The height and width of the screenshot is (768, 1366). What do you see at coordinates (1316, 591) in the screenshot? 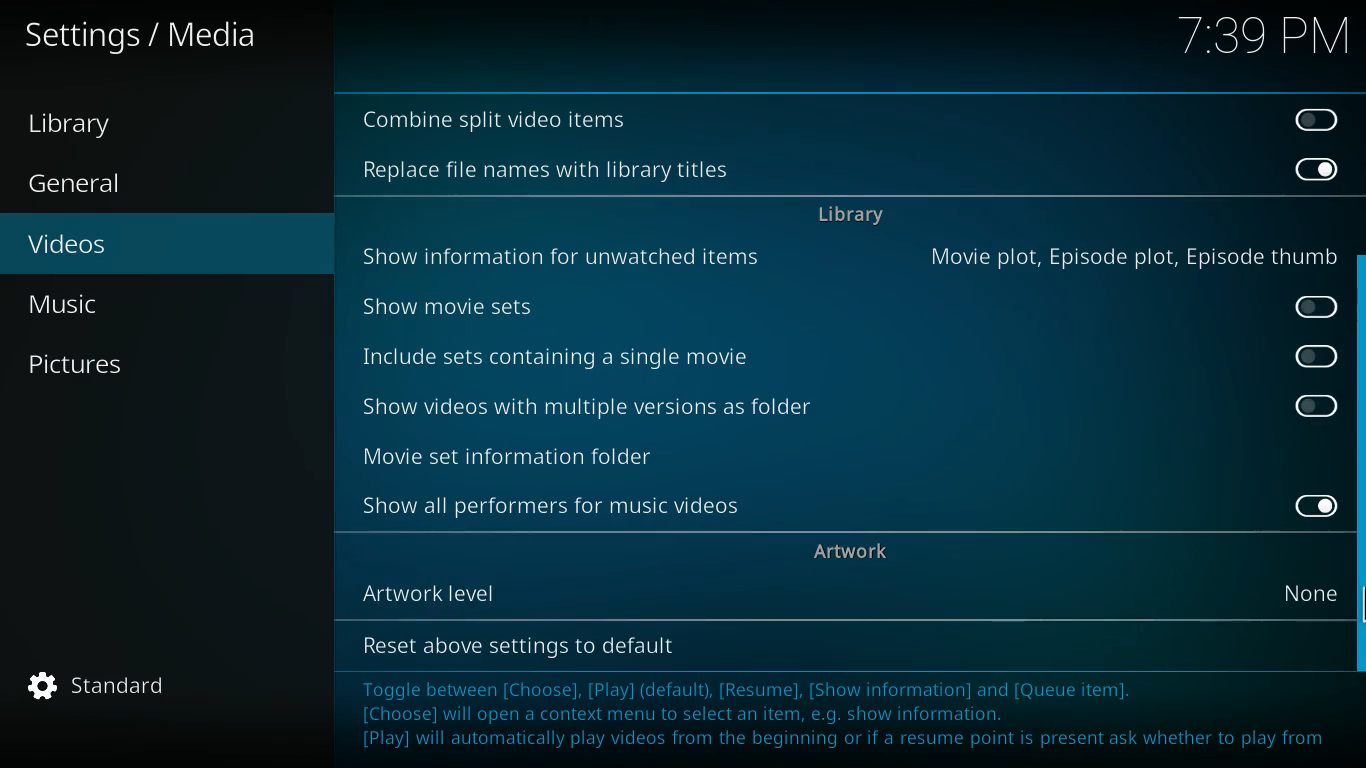
I see `None` at bounding box center [1316, 591].